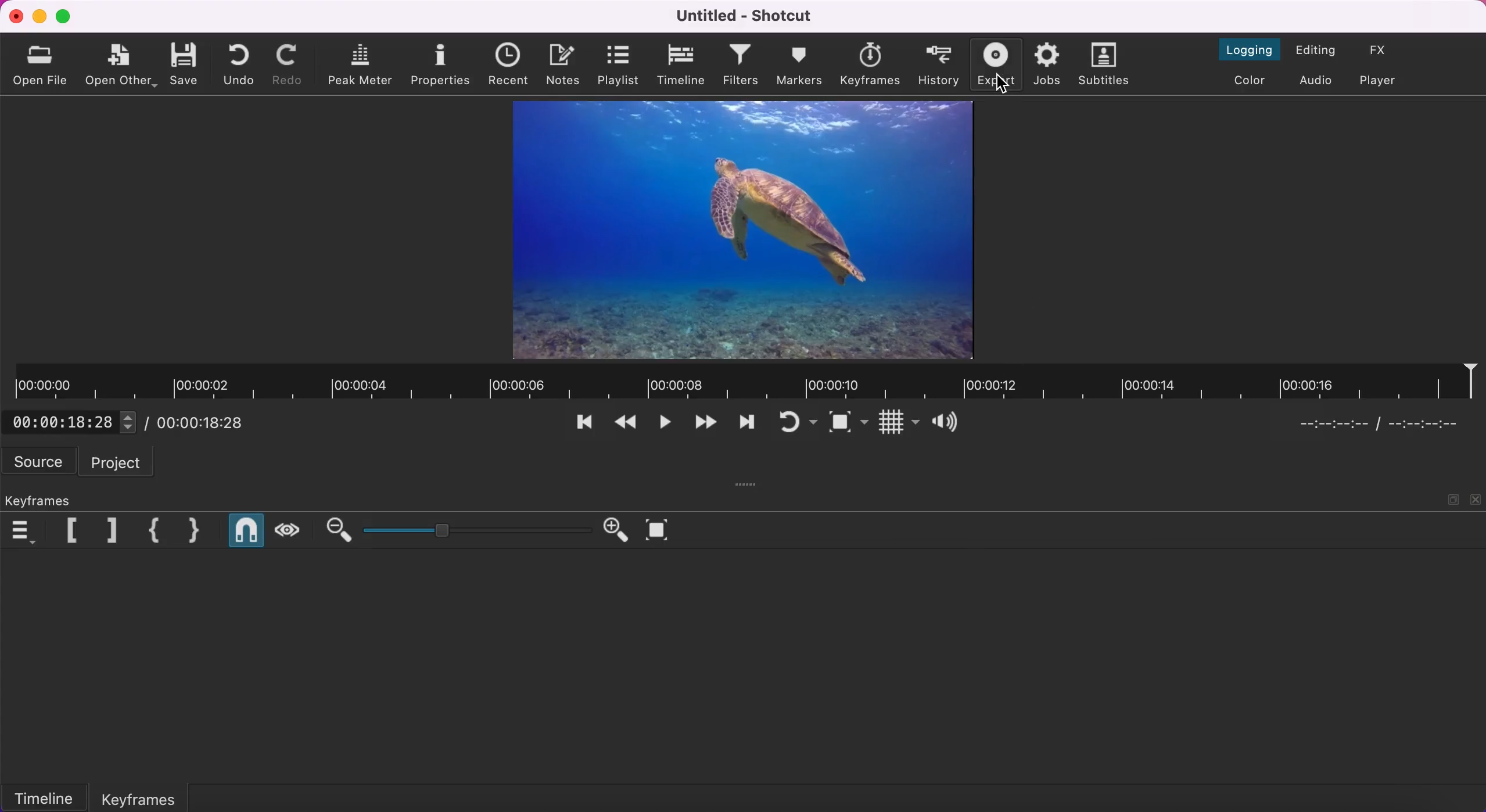 The image size is (1486, 812). I want to click on switch to the logging layout, so click(1248, 51).